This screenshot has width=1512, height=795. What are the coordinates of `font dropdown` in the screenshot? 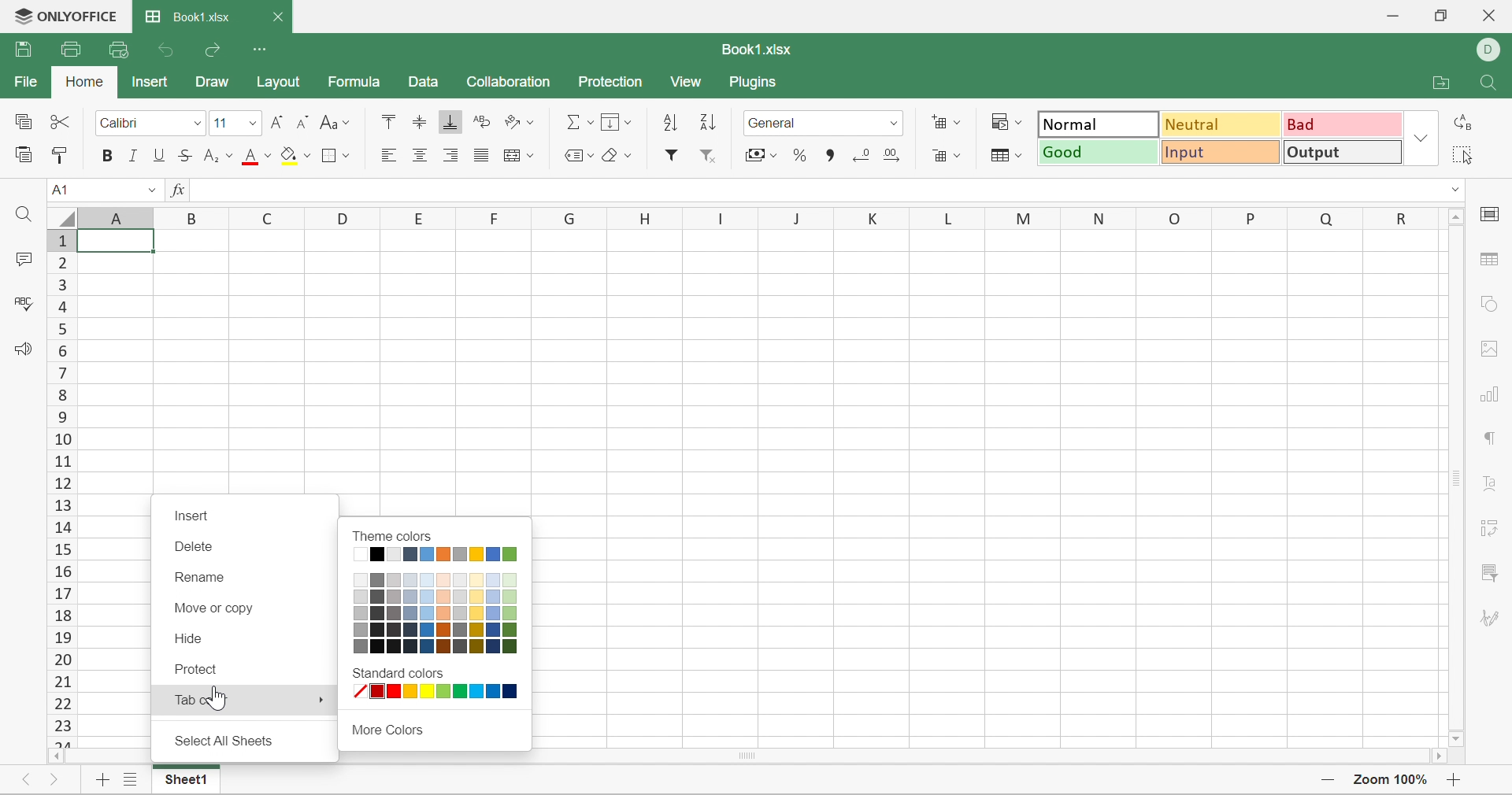 It's located at (196, 123).